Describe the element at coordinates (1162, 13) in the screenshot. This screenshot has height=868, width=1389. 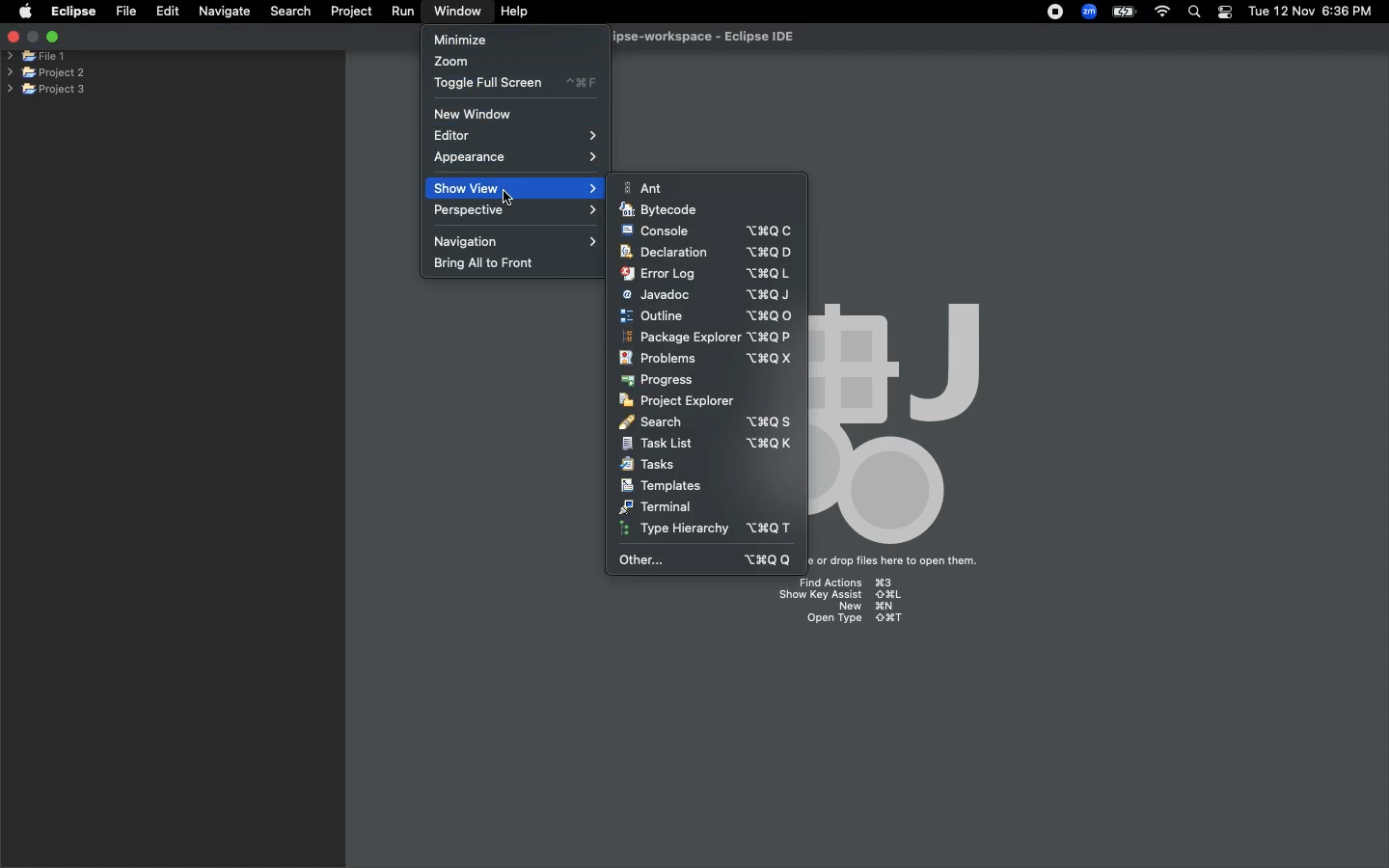
I see `Internet` at that location.